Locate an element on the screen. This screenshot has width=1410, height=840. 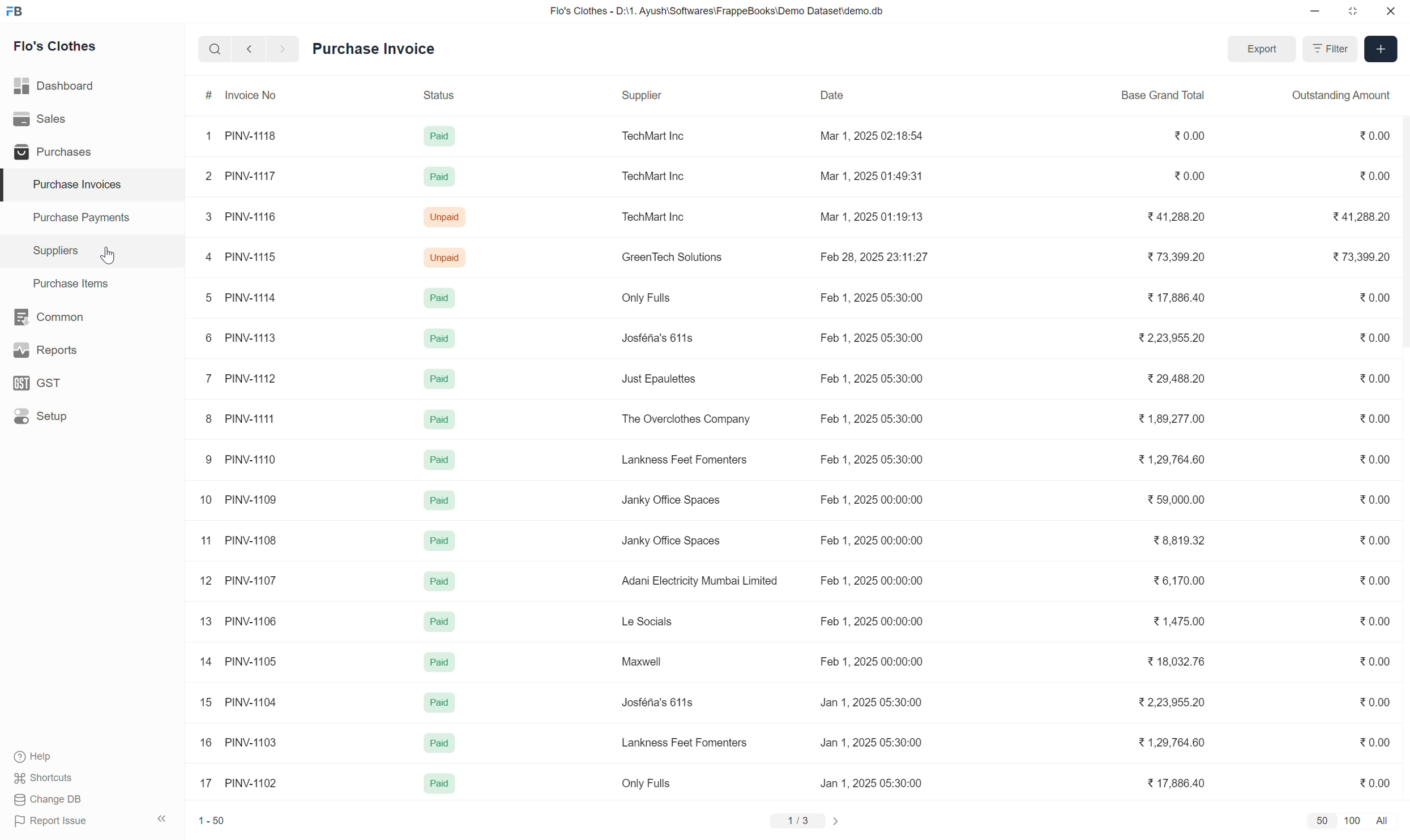
Feb 1, 2025 00:00:00 is located at coordinates (873, 580).